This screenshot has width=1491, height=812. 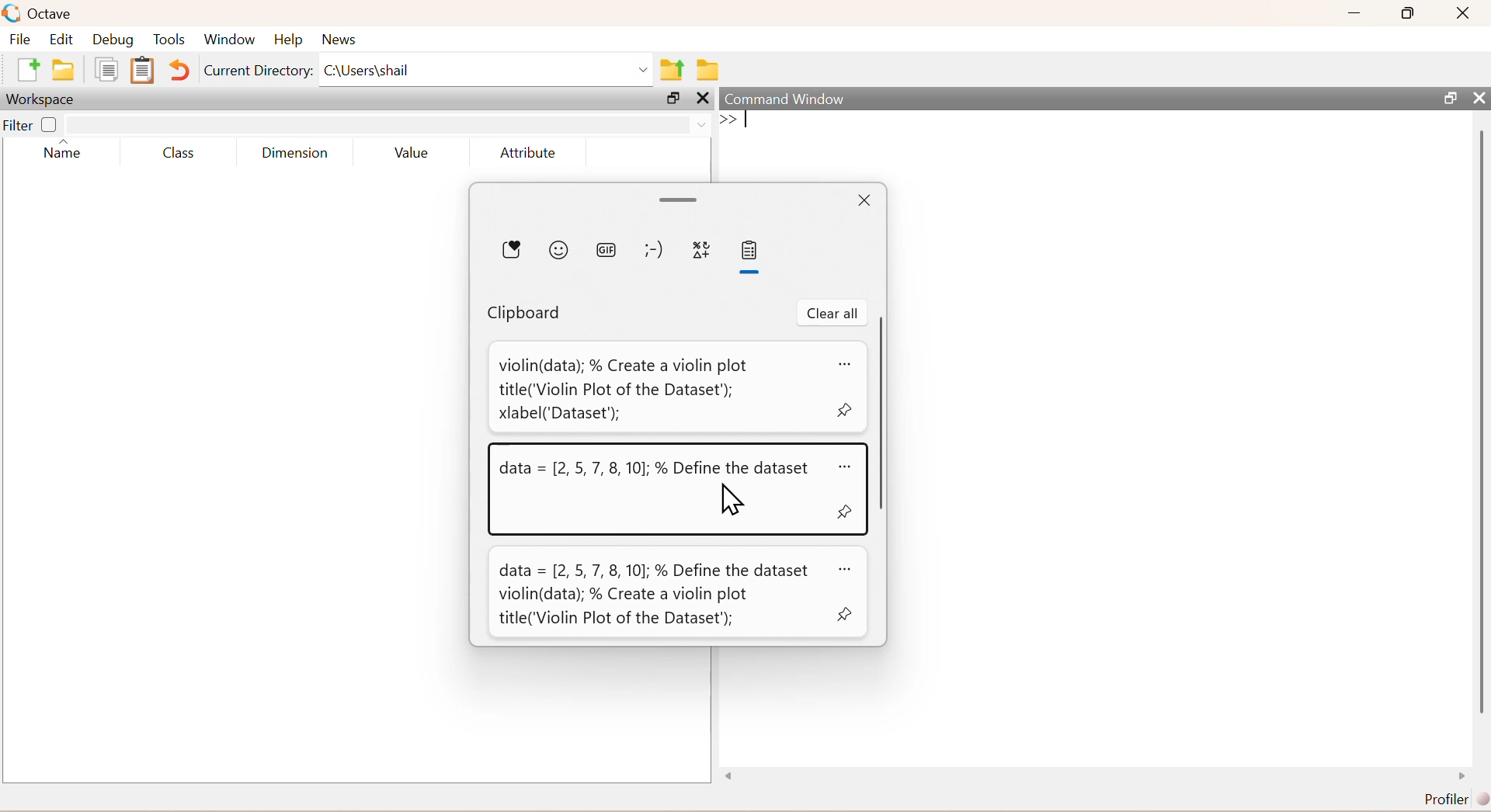 What do you see at coordinates (559, 250) in the screenshot?
I see `Emojis ` at bounding box center [559, 250].